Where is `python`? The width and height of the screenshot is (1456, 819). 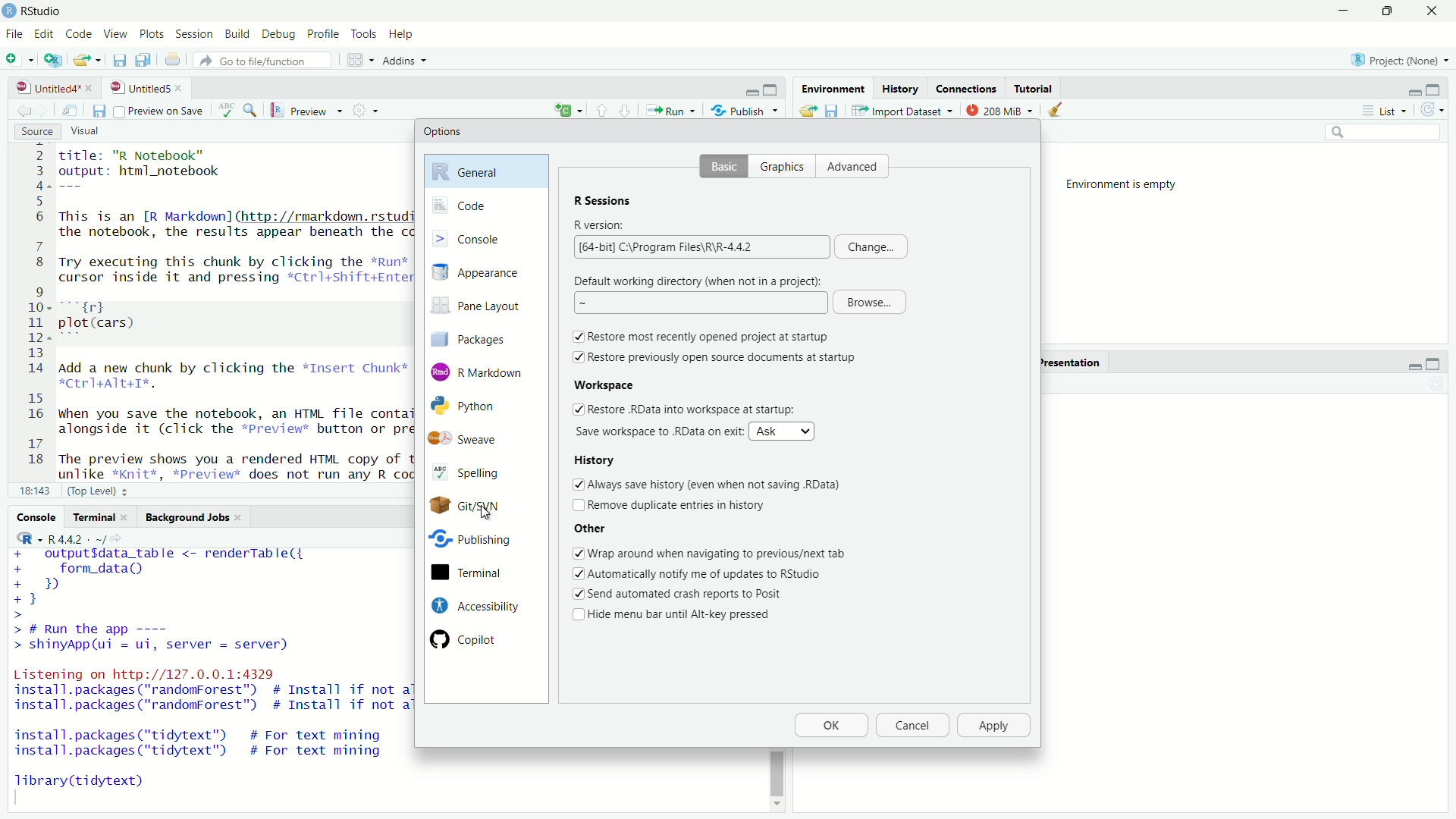 python is located at coordinates (476, 406).